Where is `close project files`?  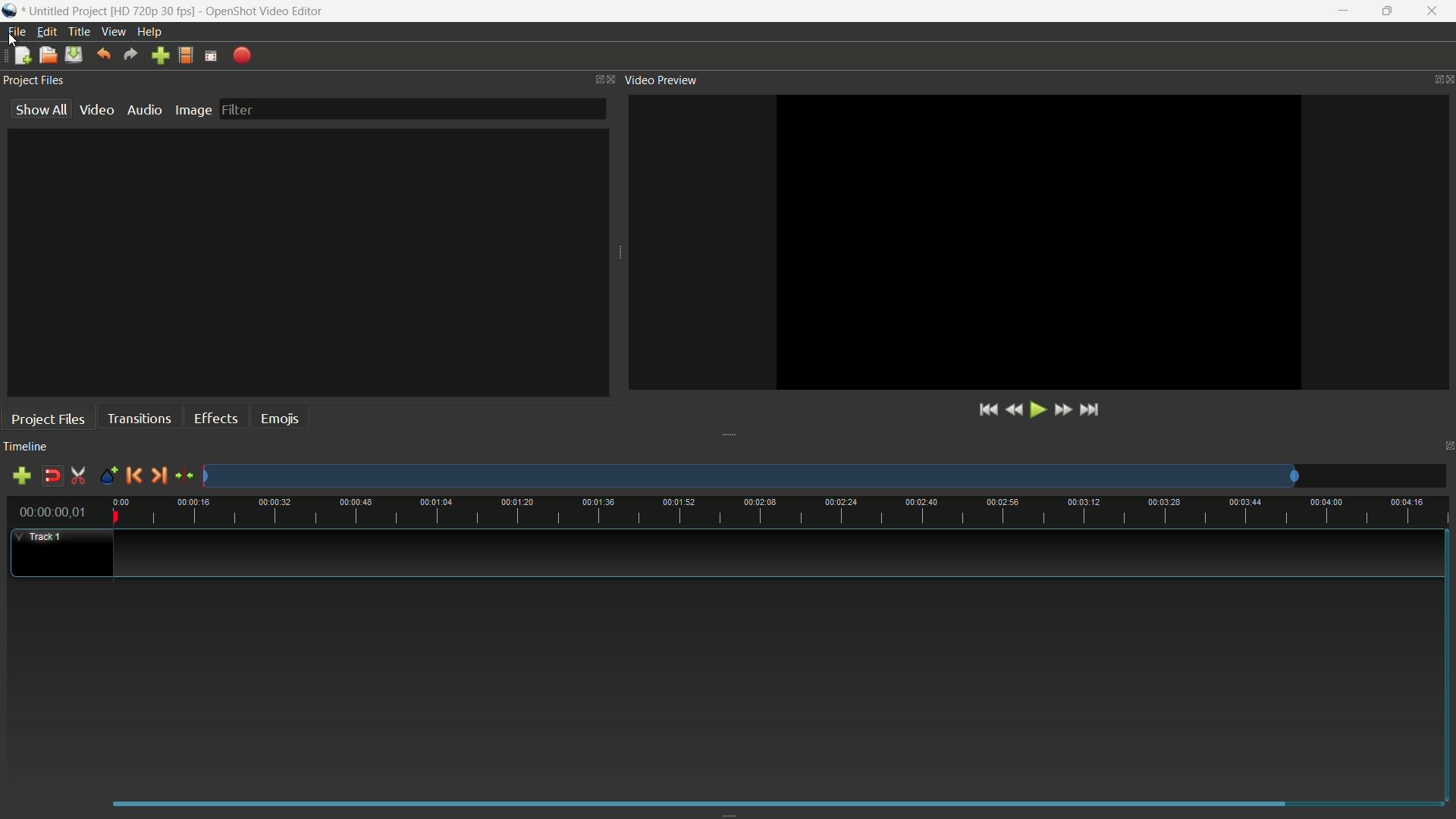 close project files is located at coordinates (614, 80).